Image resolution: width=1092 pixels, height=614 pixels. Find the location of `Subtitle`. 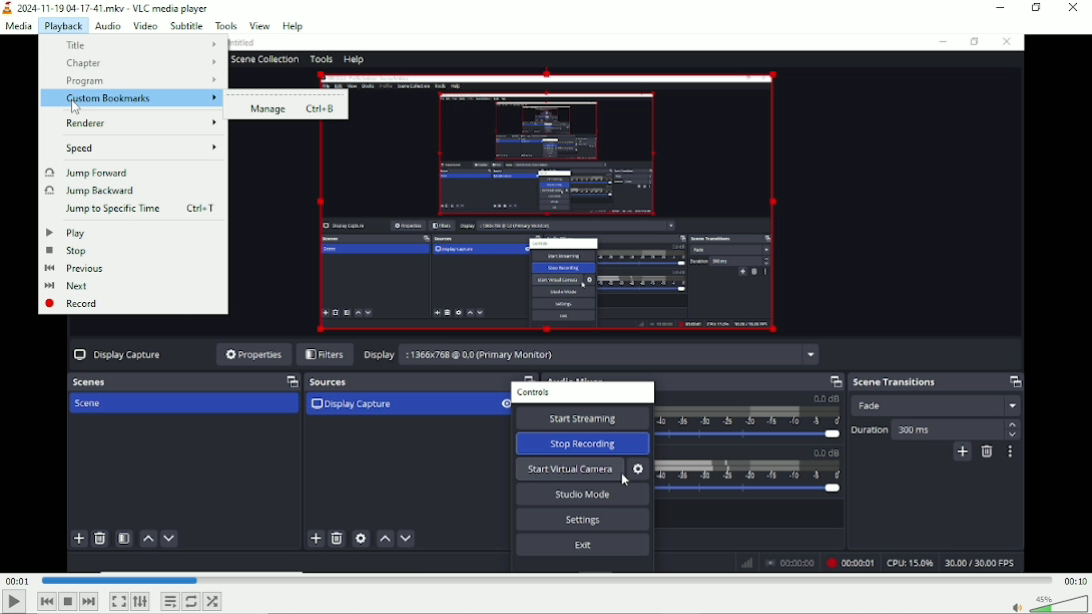

Subtitle is located at coordinates (186, 26).